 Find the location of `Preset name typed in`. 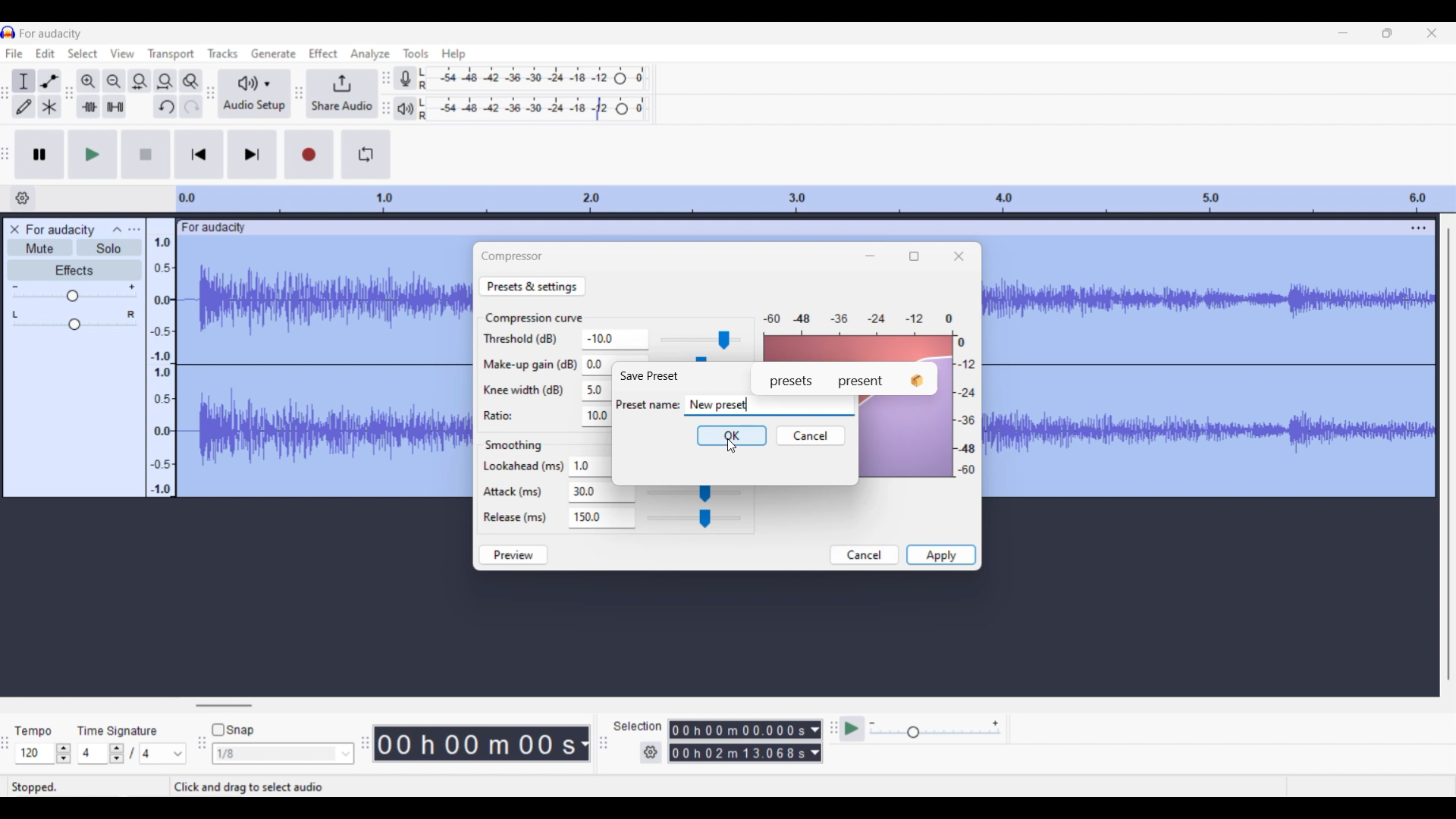

Preset name typed in is located at coordinates (719, 404).